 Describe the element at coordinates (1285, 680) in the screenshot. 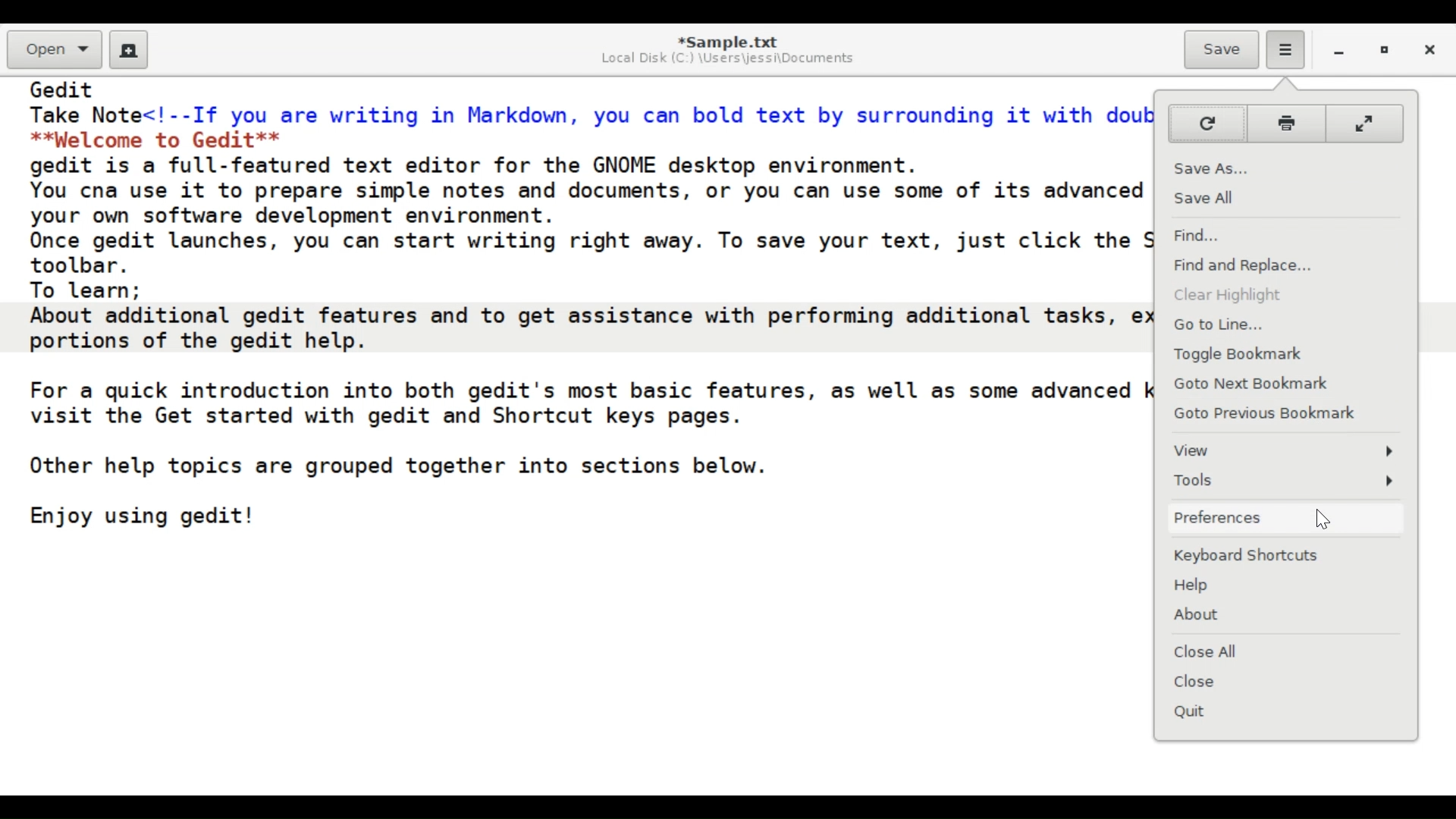

I see `Close` at that location.